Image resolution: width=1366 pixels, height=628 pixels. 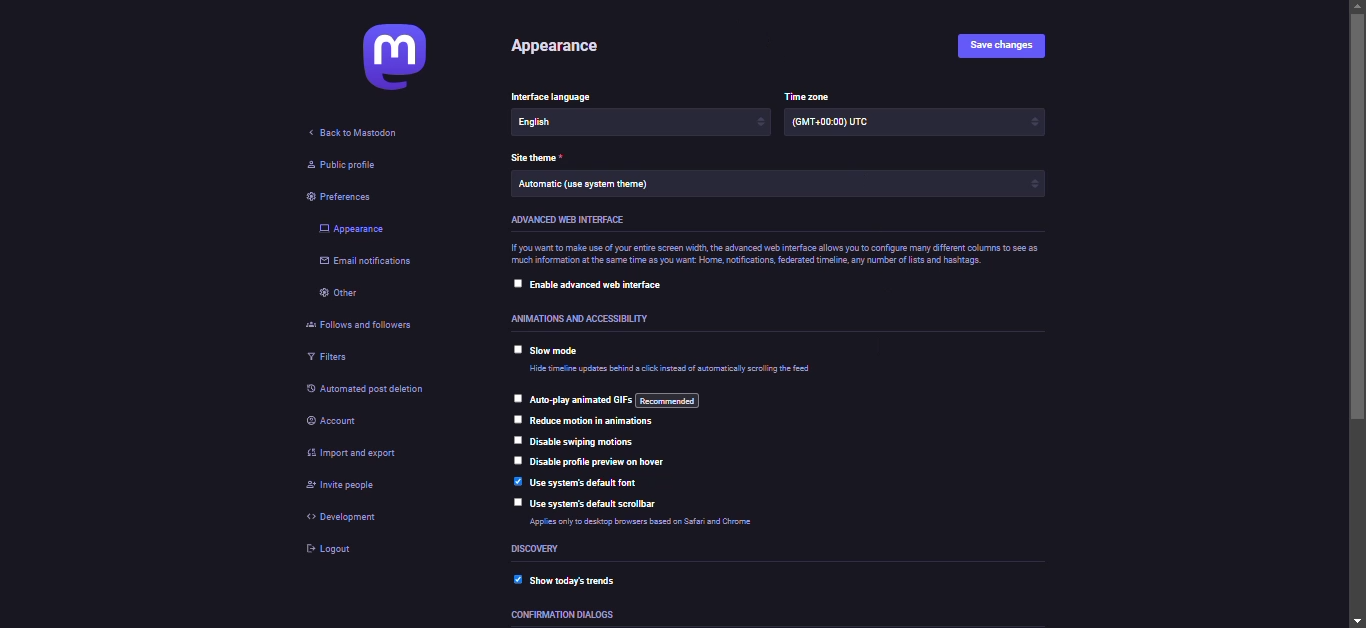 What do you see at coordinates (343, 516) in the screenshot?
I see `development` at bounding box center [343, 516].